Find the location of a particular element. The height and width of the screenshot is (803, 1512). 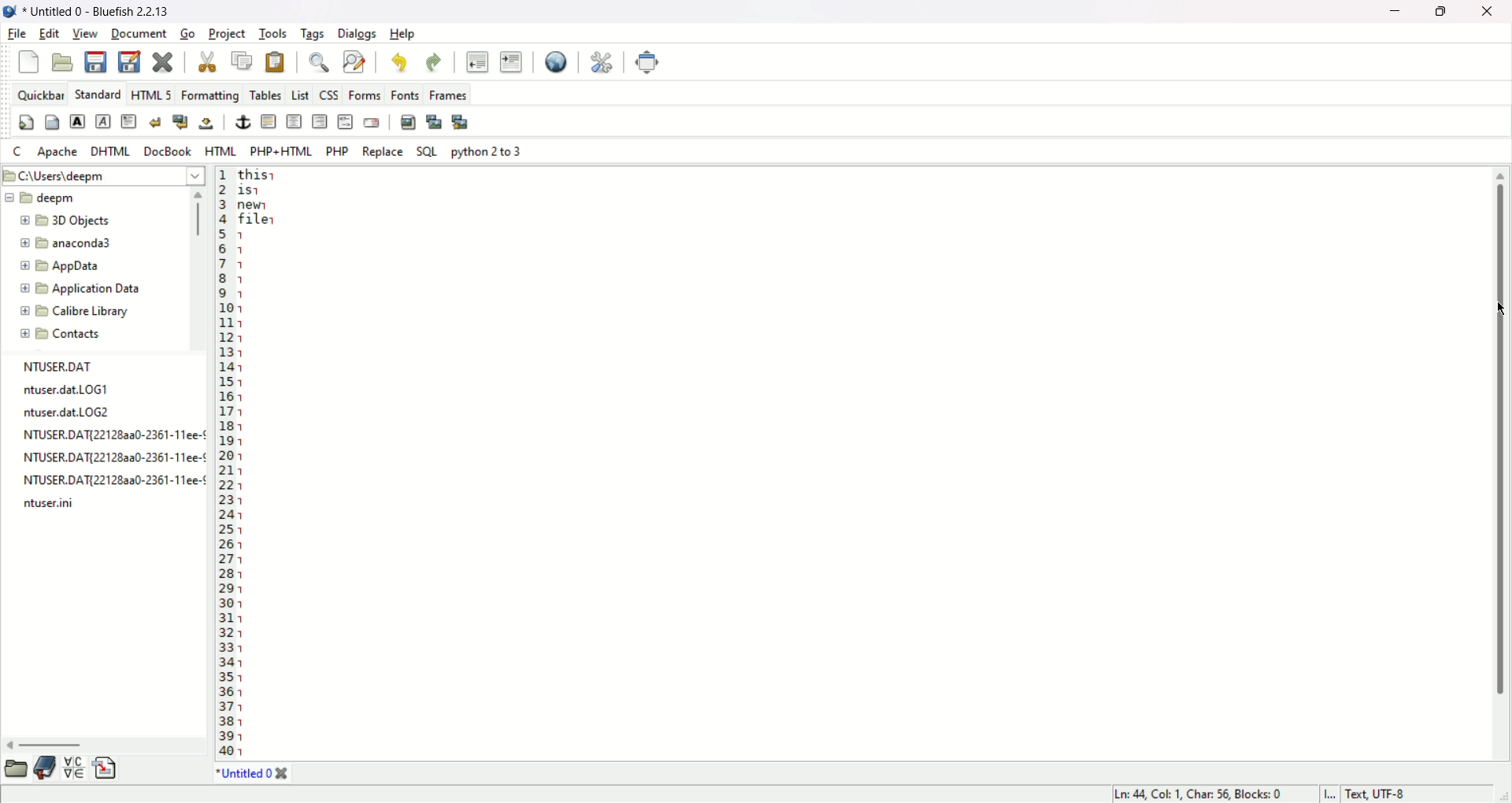

forms is located at coordinates (361, 95).